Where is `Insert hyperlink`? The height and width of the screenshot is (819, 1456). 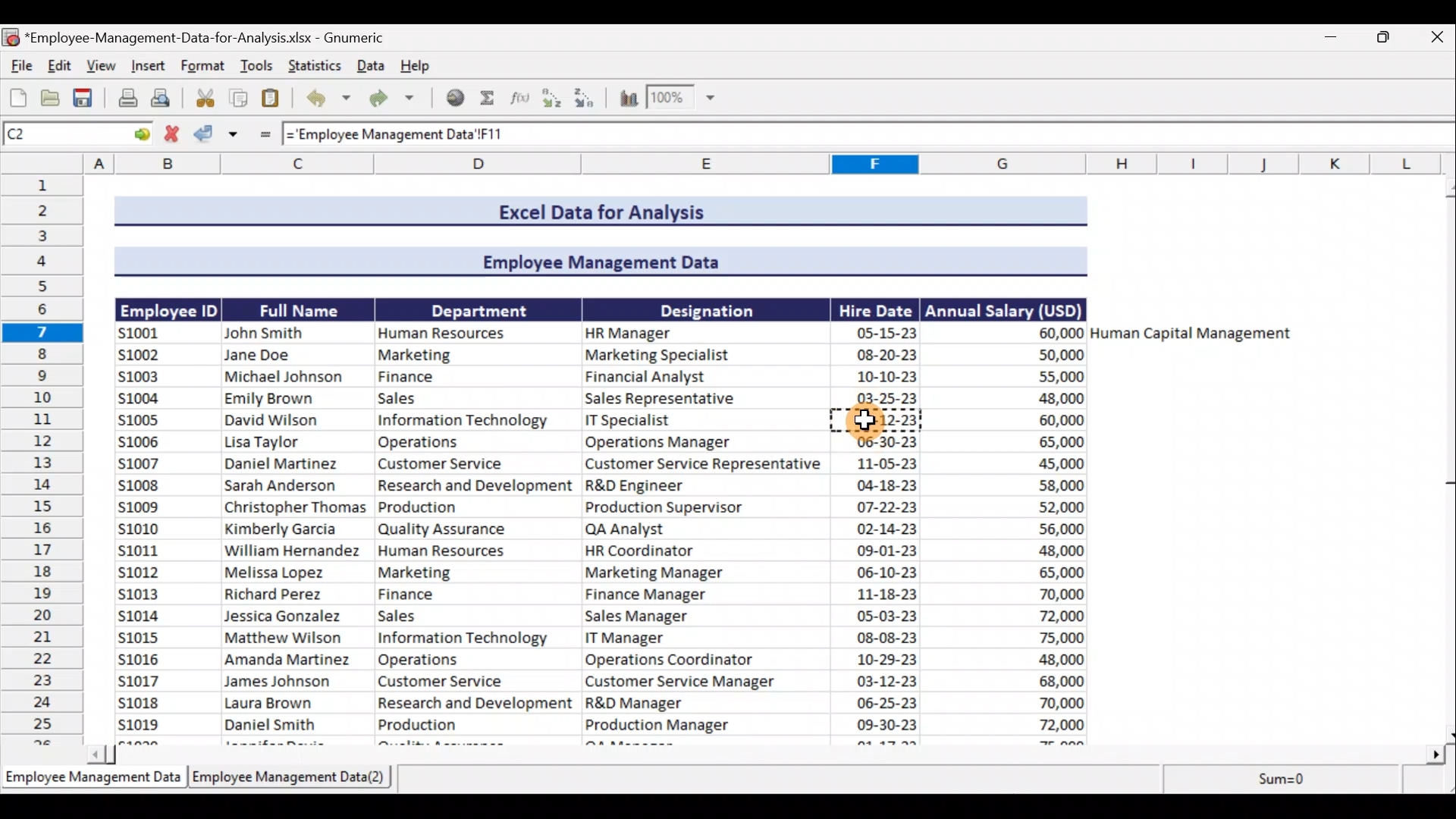
Insert hyperlink is located at coordinates (457, 96).